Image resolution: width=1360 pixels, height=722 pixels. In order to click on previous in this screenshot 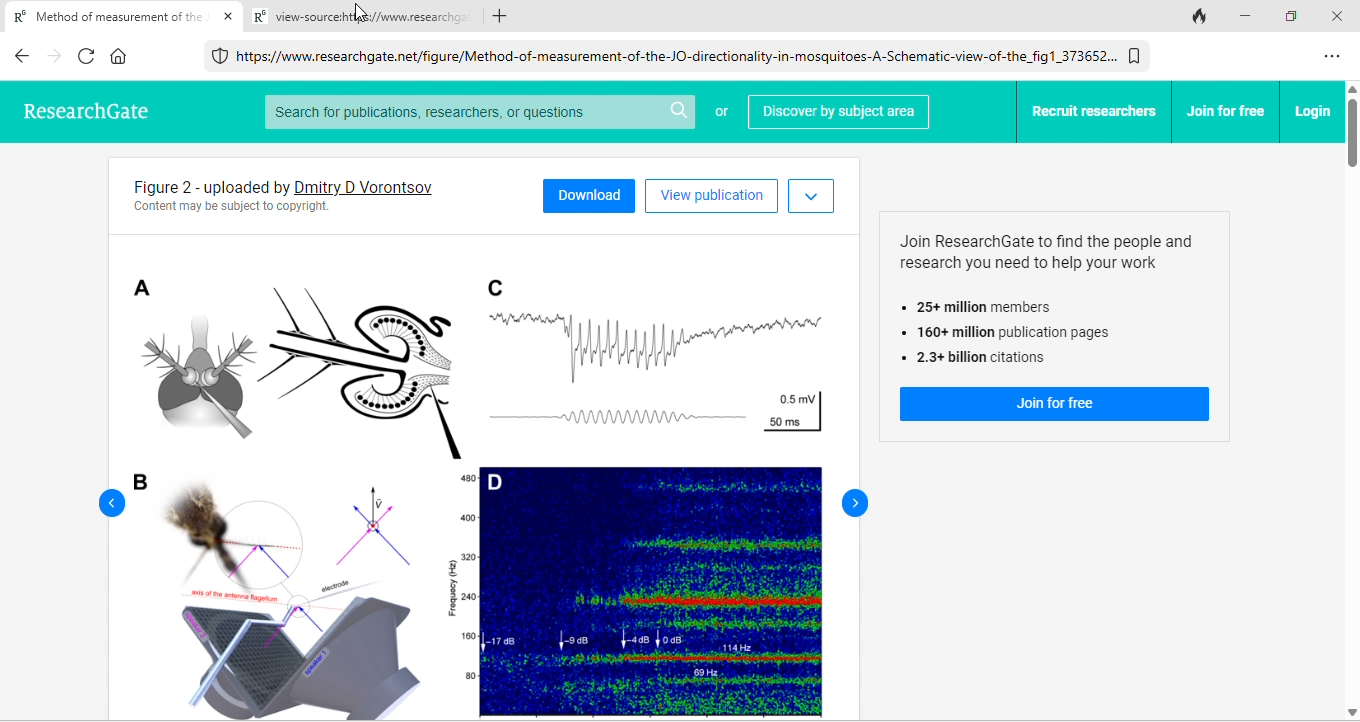, I will do `click(111, 504)`.